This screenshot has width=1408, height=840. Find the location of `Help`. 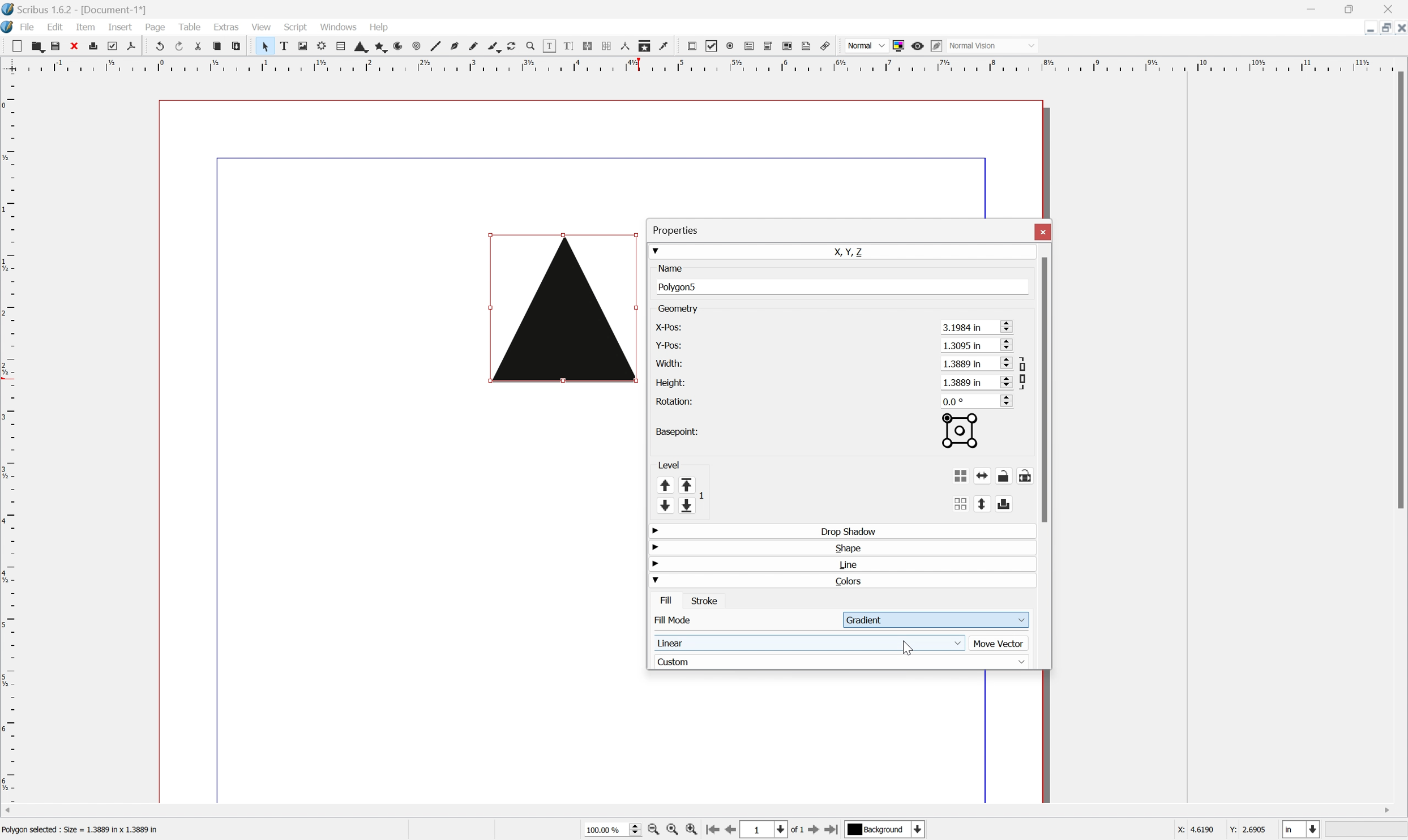

Help is located at coordinates (379, 28).